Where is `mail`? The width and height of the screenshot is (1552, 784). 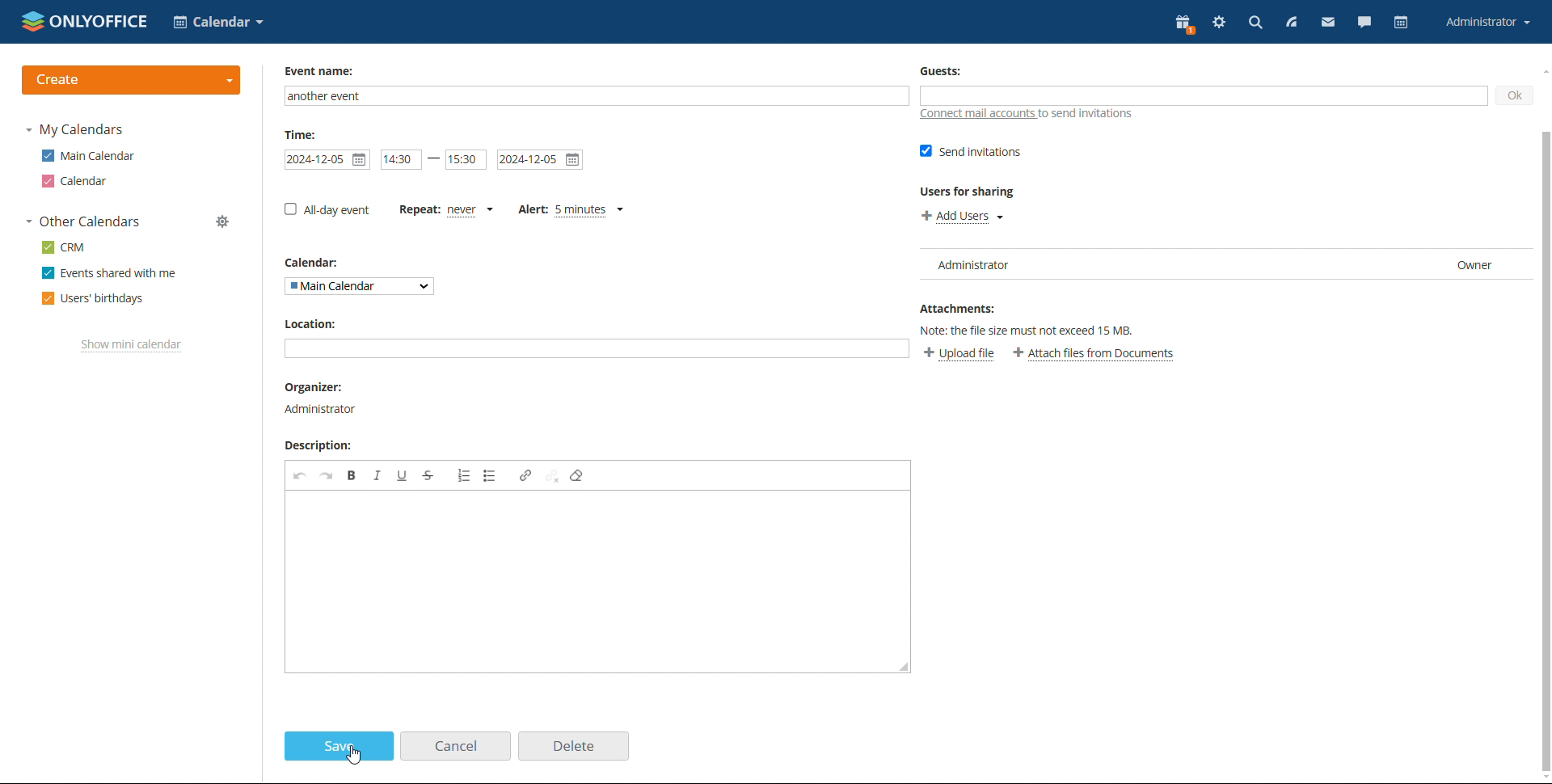 mail is located at coordinates (1329, 24).